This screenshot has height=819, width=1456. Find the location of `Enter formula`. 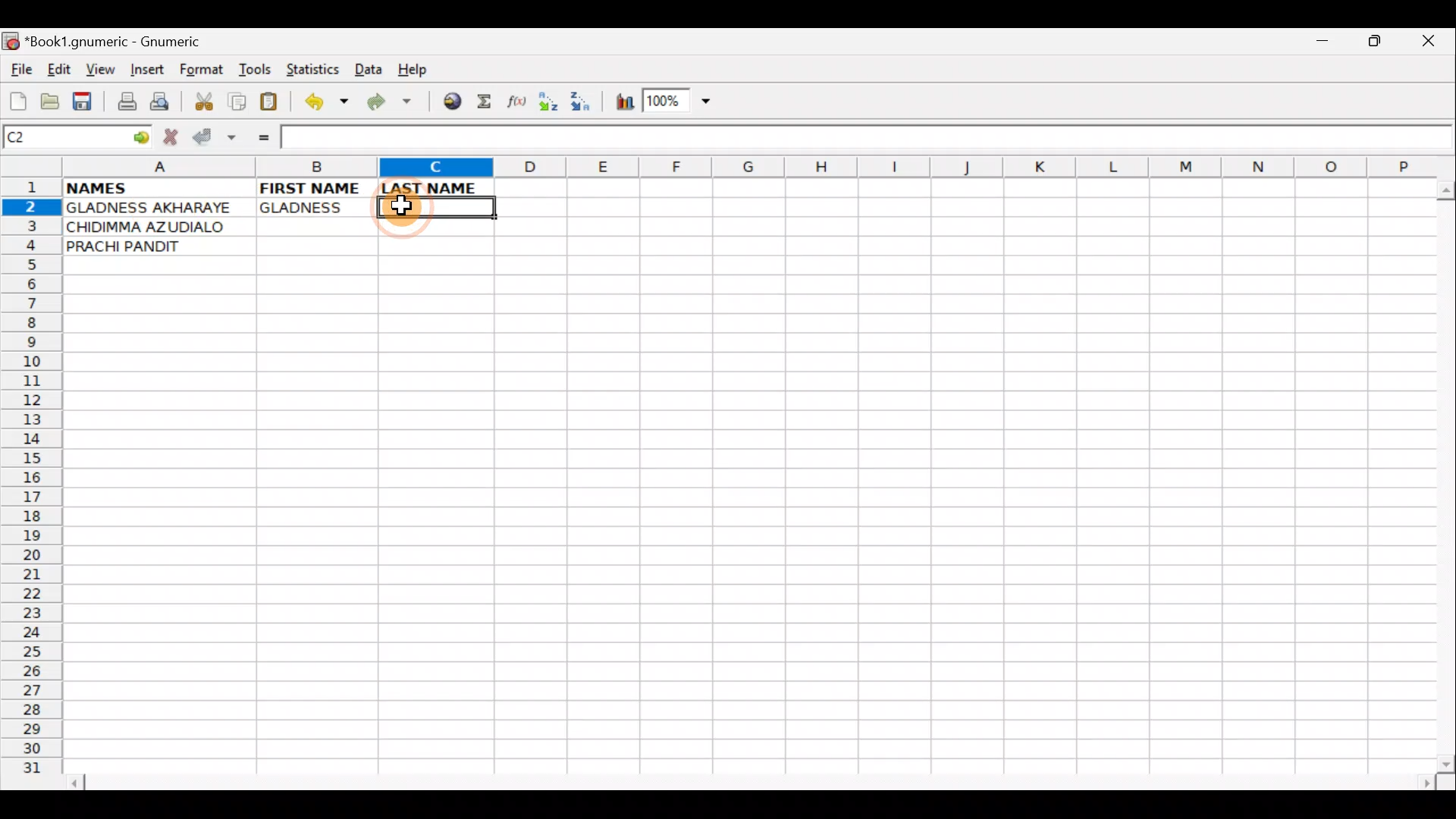

Enter formula is located at coordinates (256, 137).